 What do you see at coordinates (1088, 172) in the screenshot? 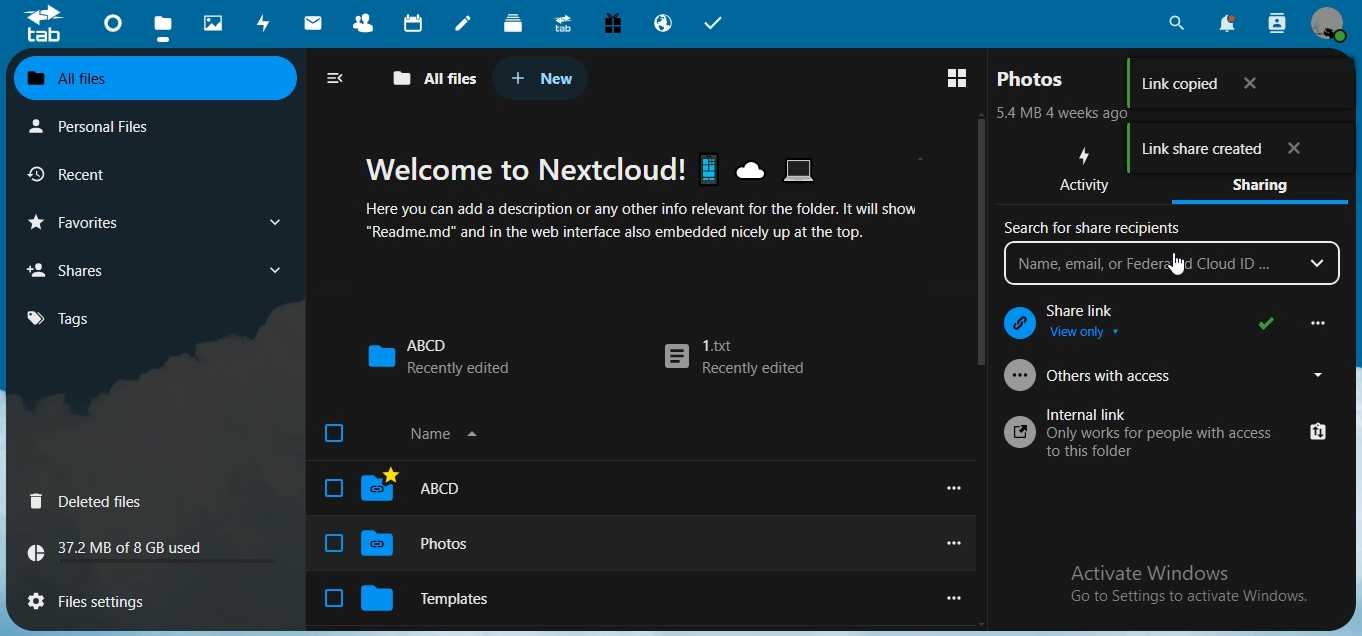
I see `activity` at bounding box center [1088, 172].